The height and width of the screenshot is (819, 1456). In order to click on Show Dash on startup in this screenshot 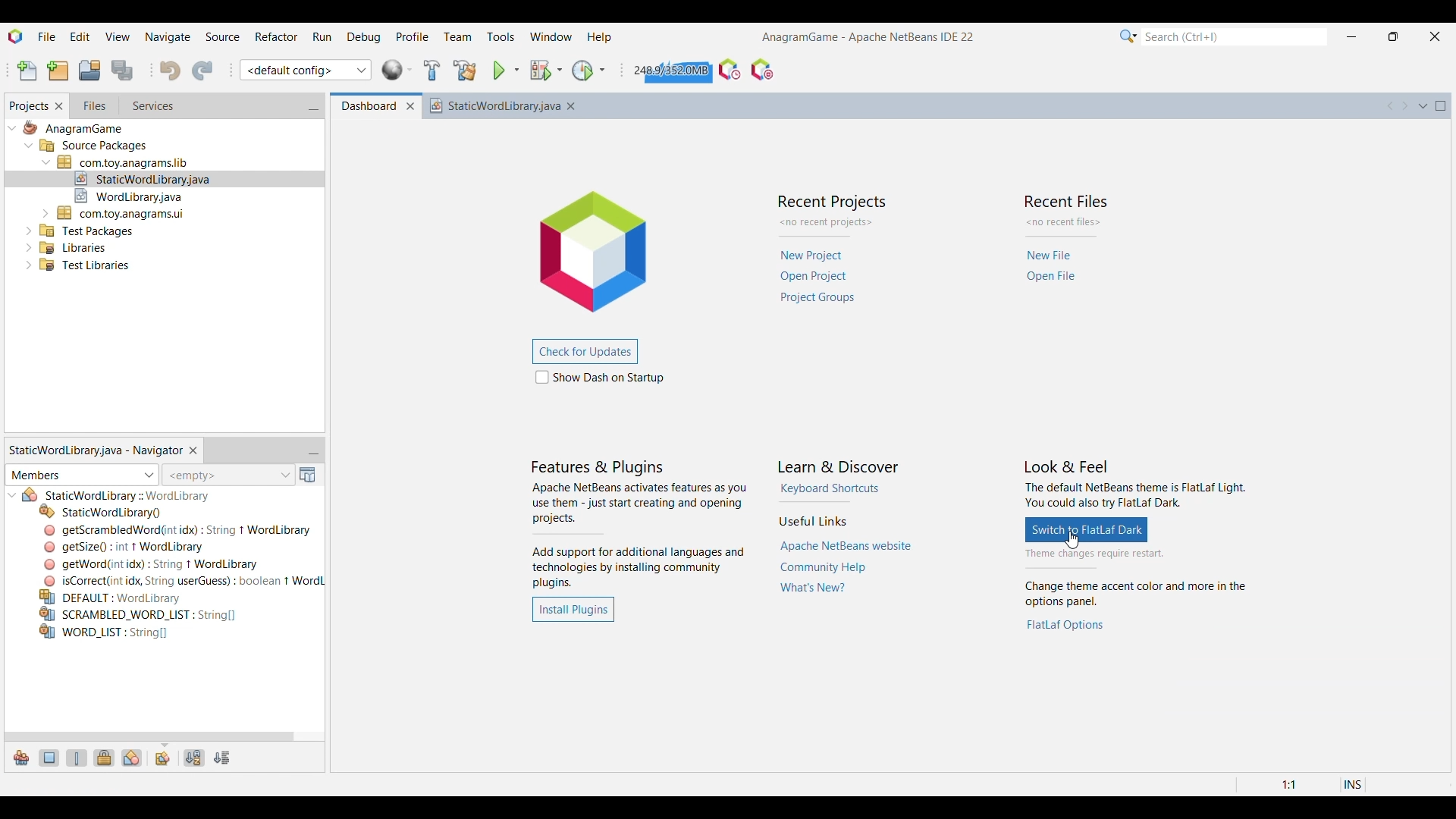, I will do `click(600, 377)`.